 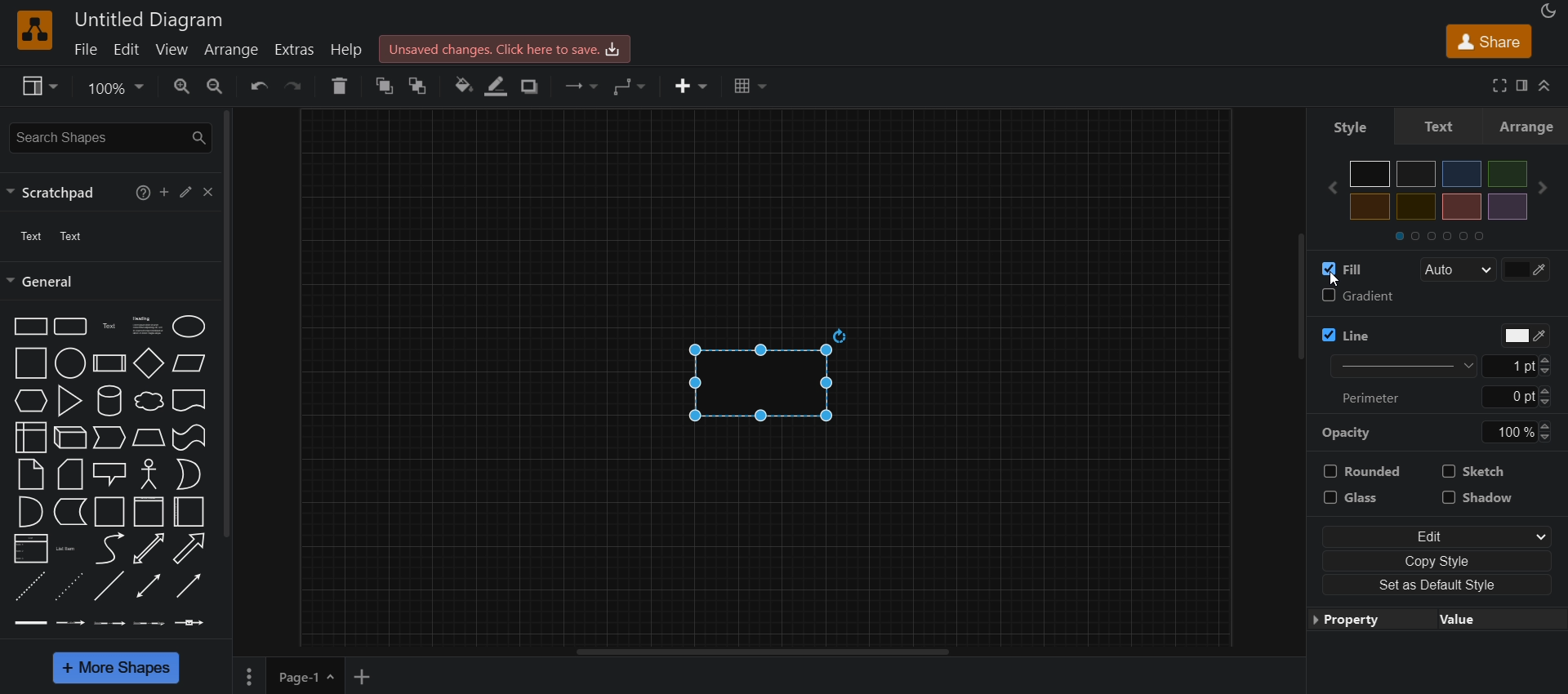 What do you see at coordinates (190, 401) in the screenshot?
I see `document` at bounding box center [190, 401].